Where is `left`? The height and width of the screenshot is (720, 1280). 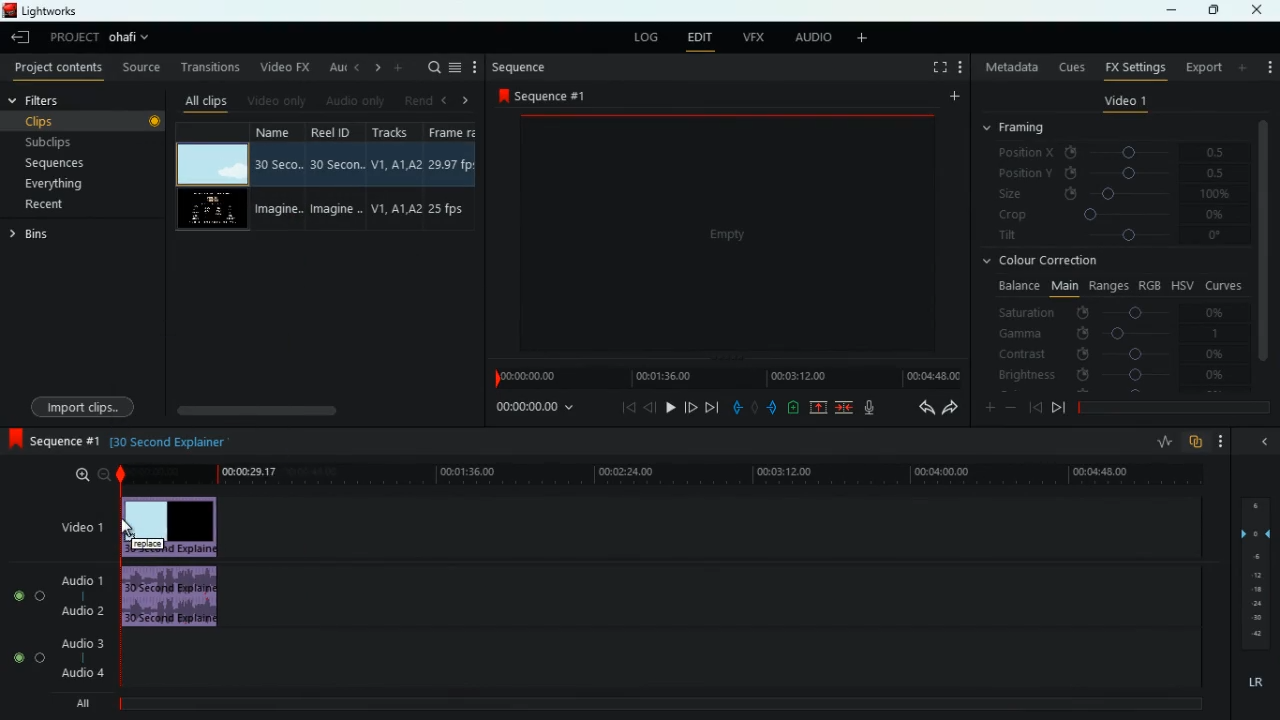
left is located at coordinates (354, 68).